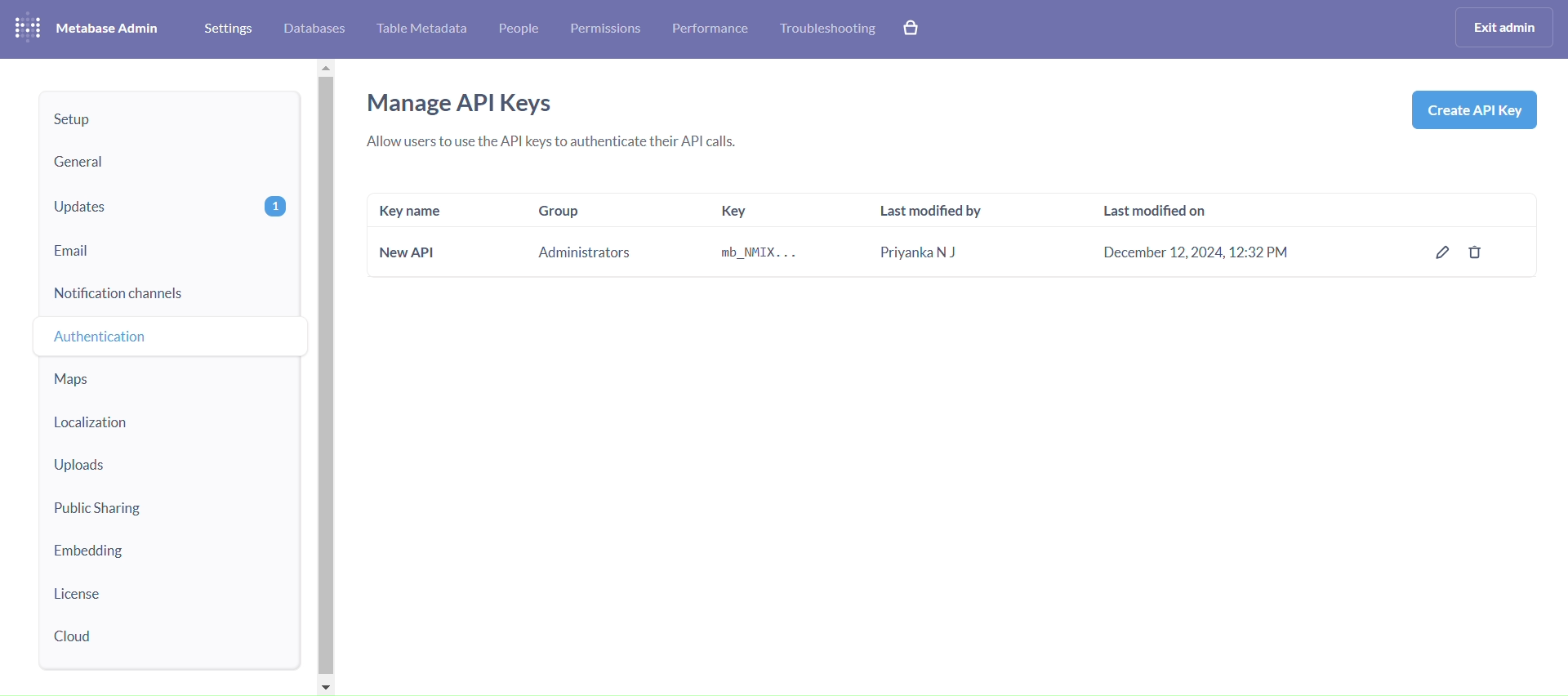  What do you see at coordinates (605, 30) in the screenshot?
I see `permissions` at bounding box center [605, 30].